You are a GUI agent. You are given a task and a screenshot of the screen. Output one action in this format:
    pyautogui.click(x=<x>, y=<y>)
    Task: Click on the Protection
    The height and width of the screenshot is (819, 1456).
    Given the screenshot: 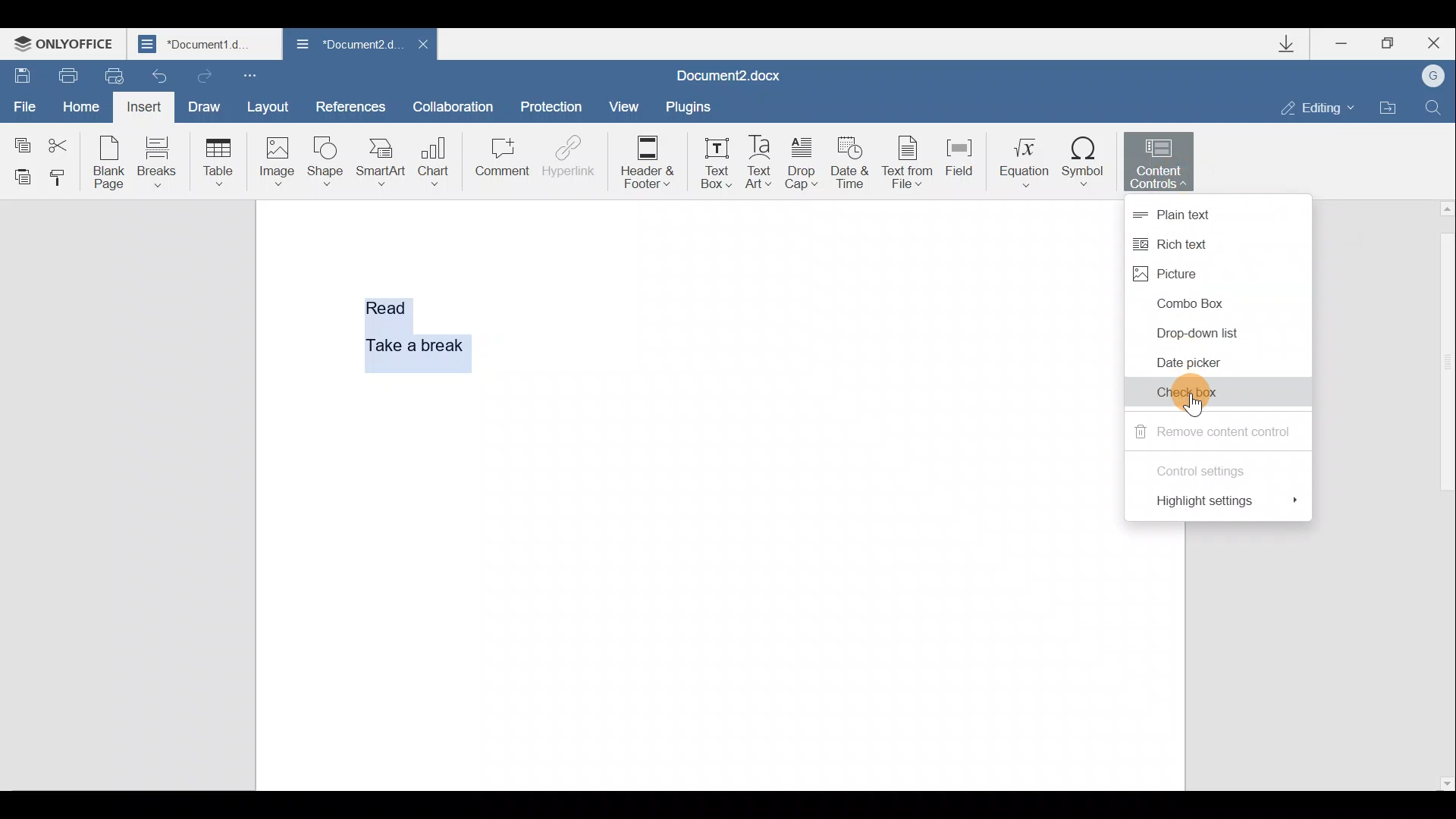 What is the action you would take?
    pyautogui.click(x=554, y=101)
    